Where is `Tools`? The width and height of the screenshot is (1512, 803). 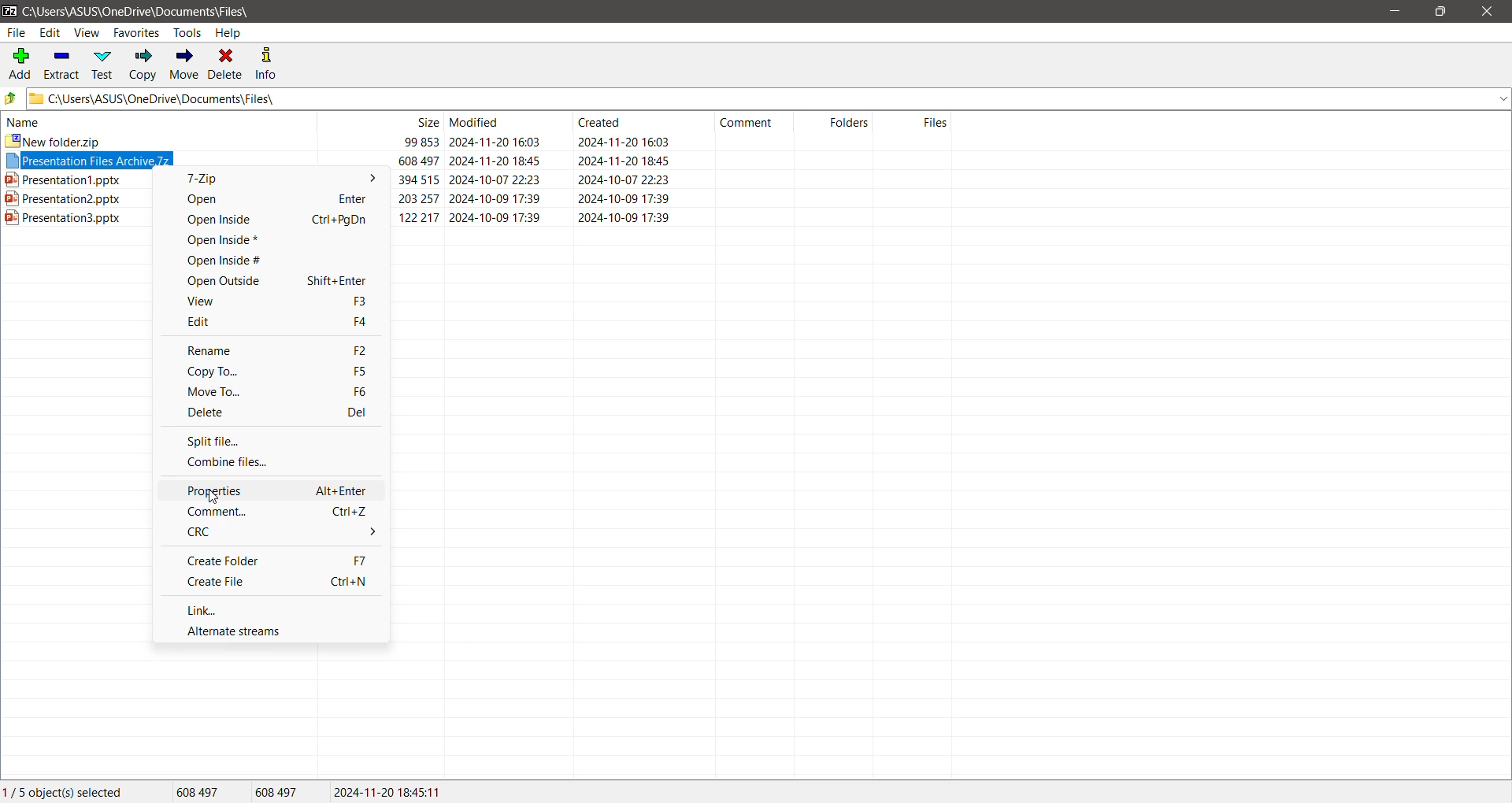 Tools is located at coordinates (187, 32).